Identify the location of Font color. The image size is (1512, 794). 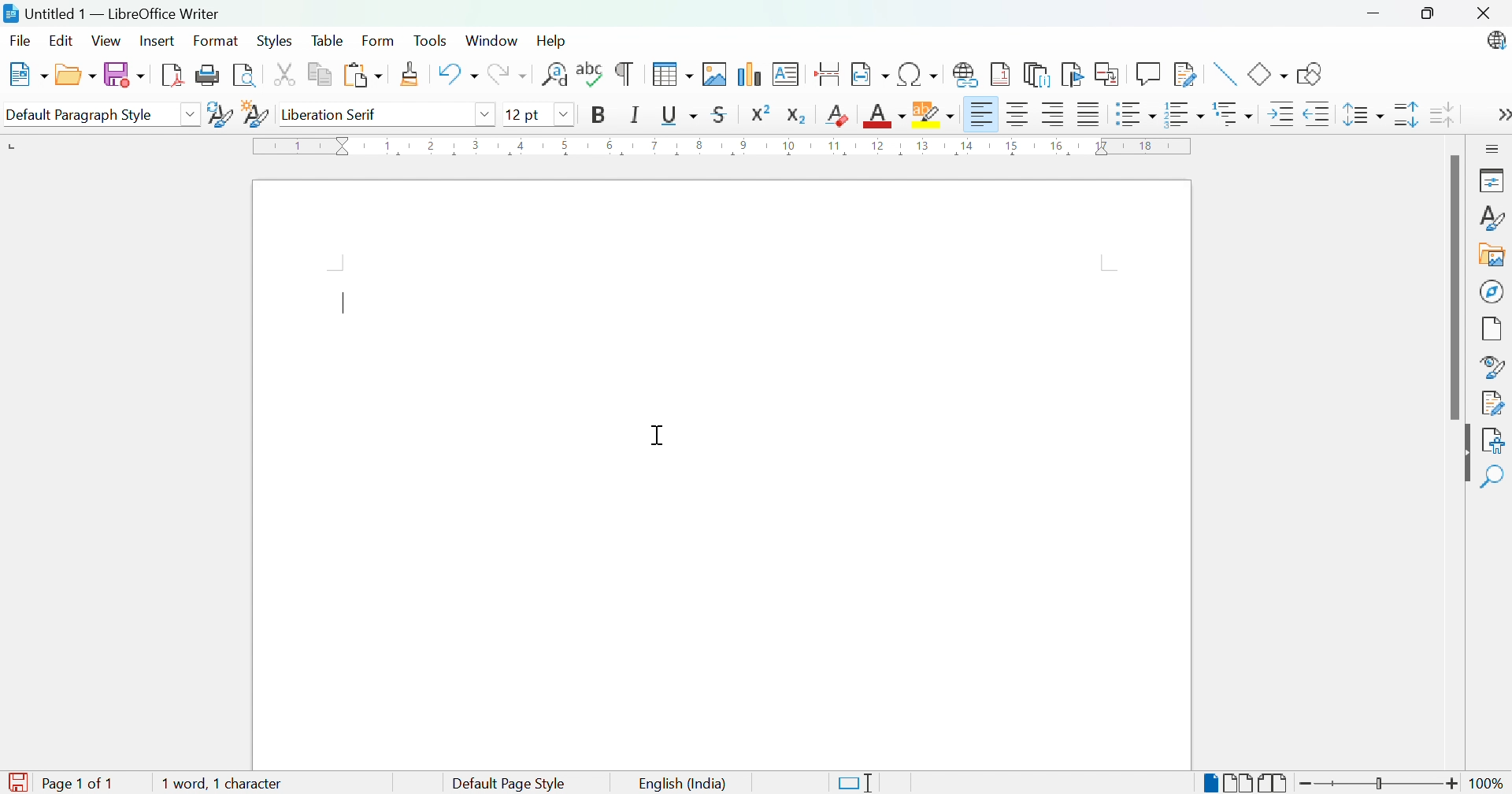
(886, 117).